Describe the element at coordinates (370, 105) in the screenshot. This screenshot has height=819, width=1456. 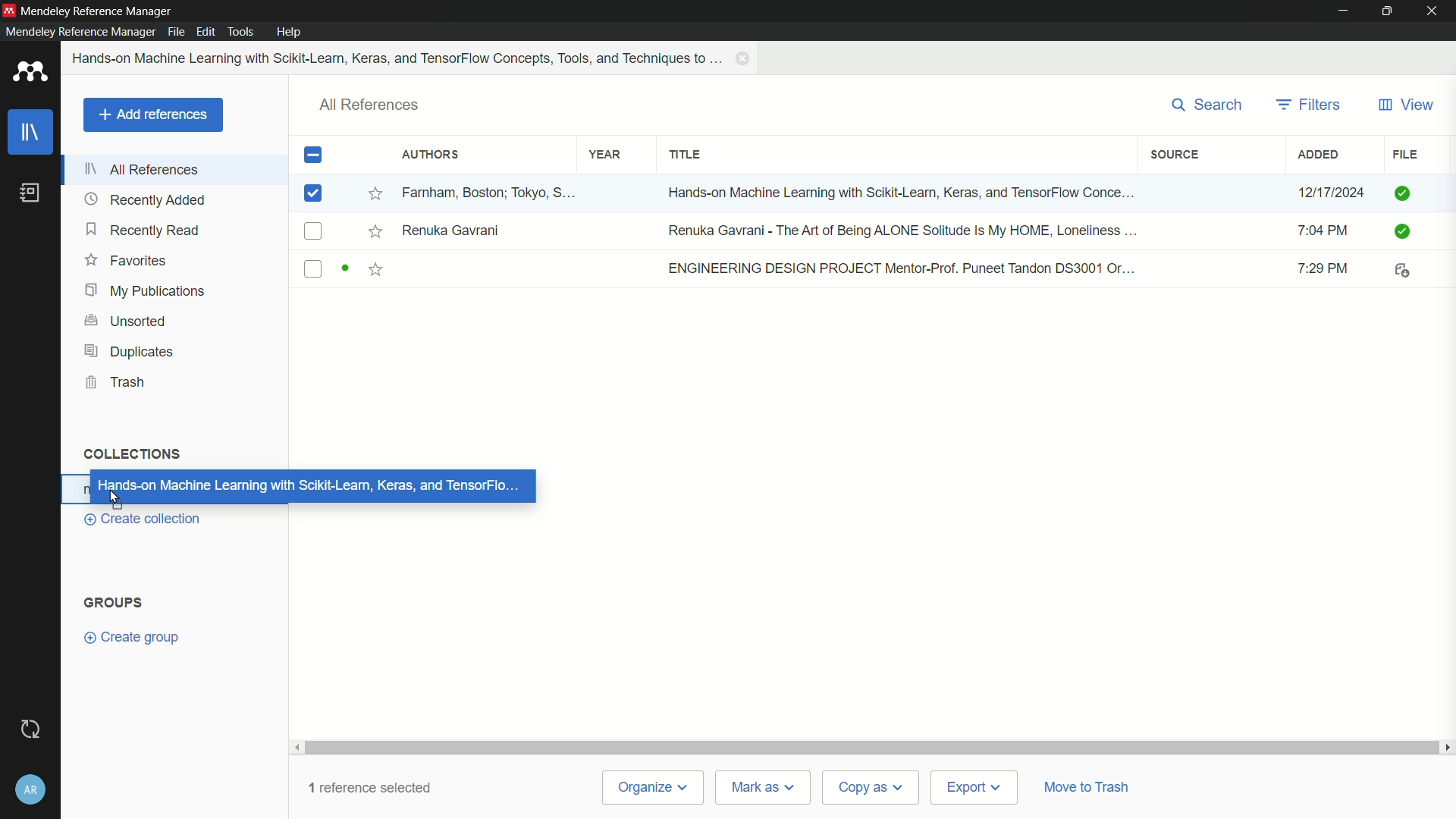
I see `all references` at that location.